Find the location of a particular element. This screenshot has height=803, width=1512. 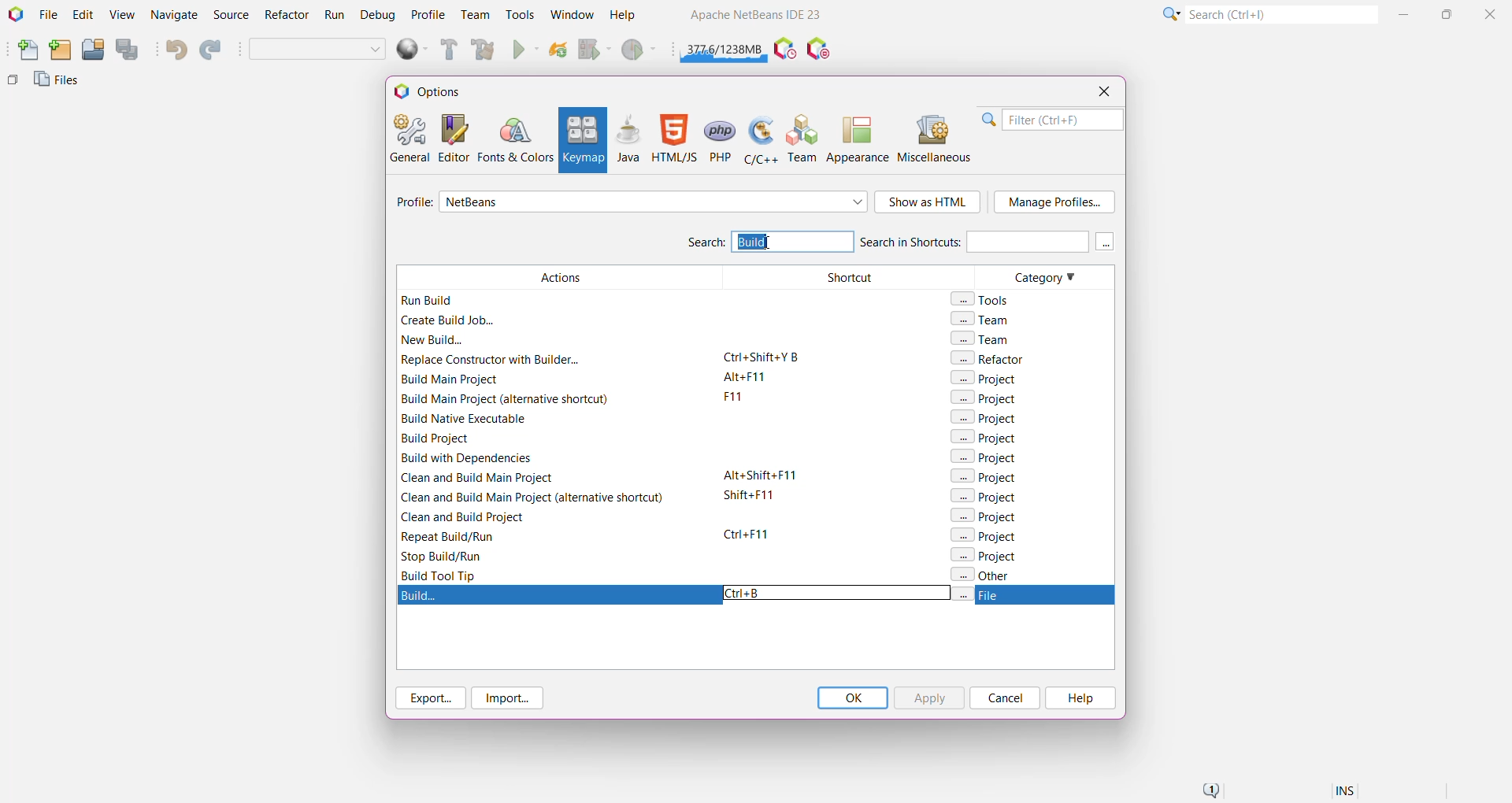

Debug Main Project is located at coordinates (594, 50).